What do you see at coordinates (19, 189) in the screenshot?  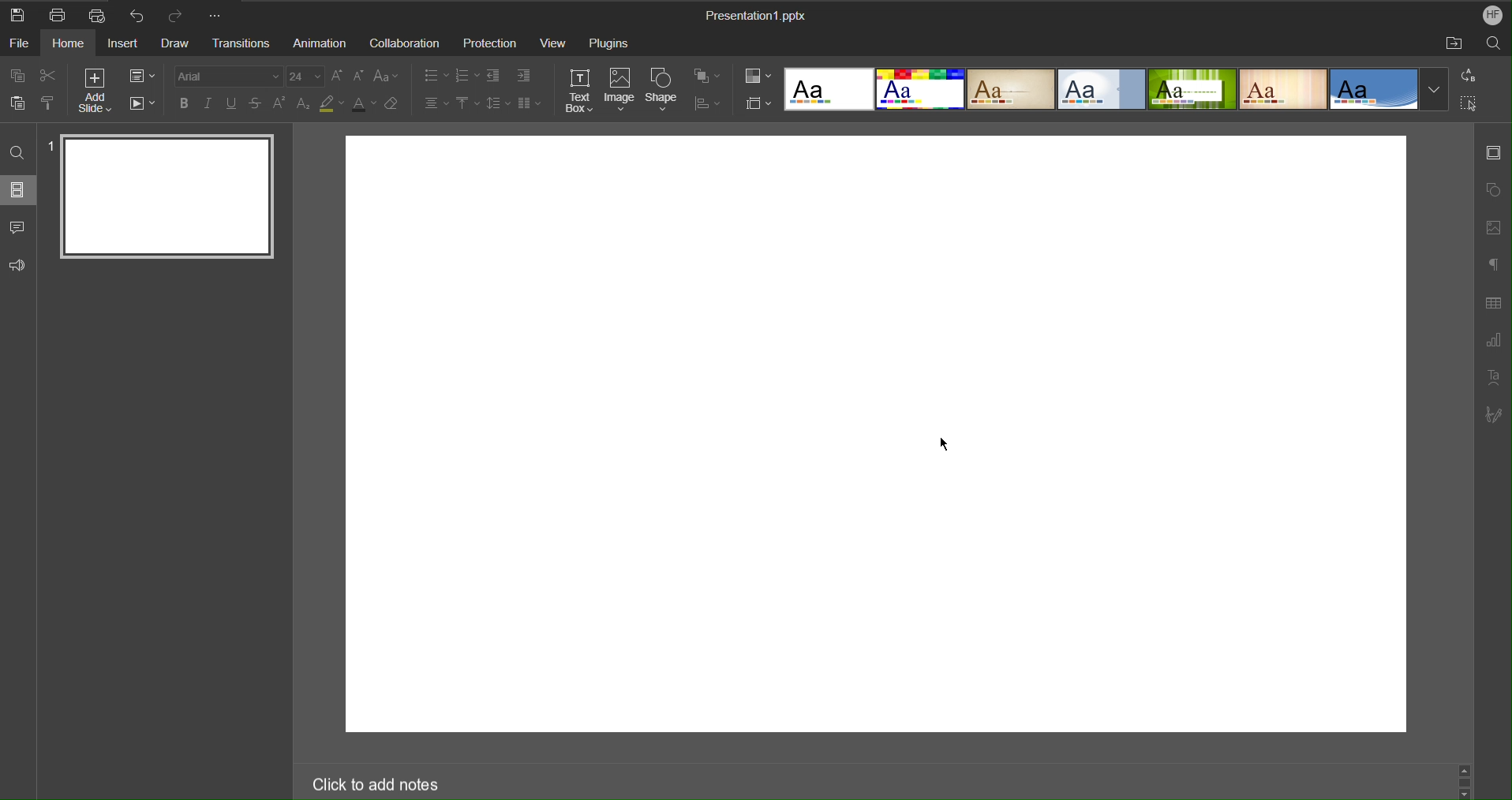 I see `Slides` at bounding box center [19, 189].